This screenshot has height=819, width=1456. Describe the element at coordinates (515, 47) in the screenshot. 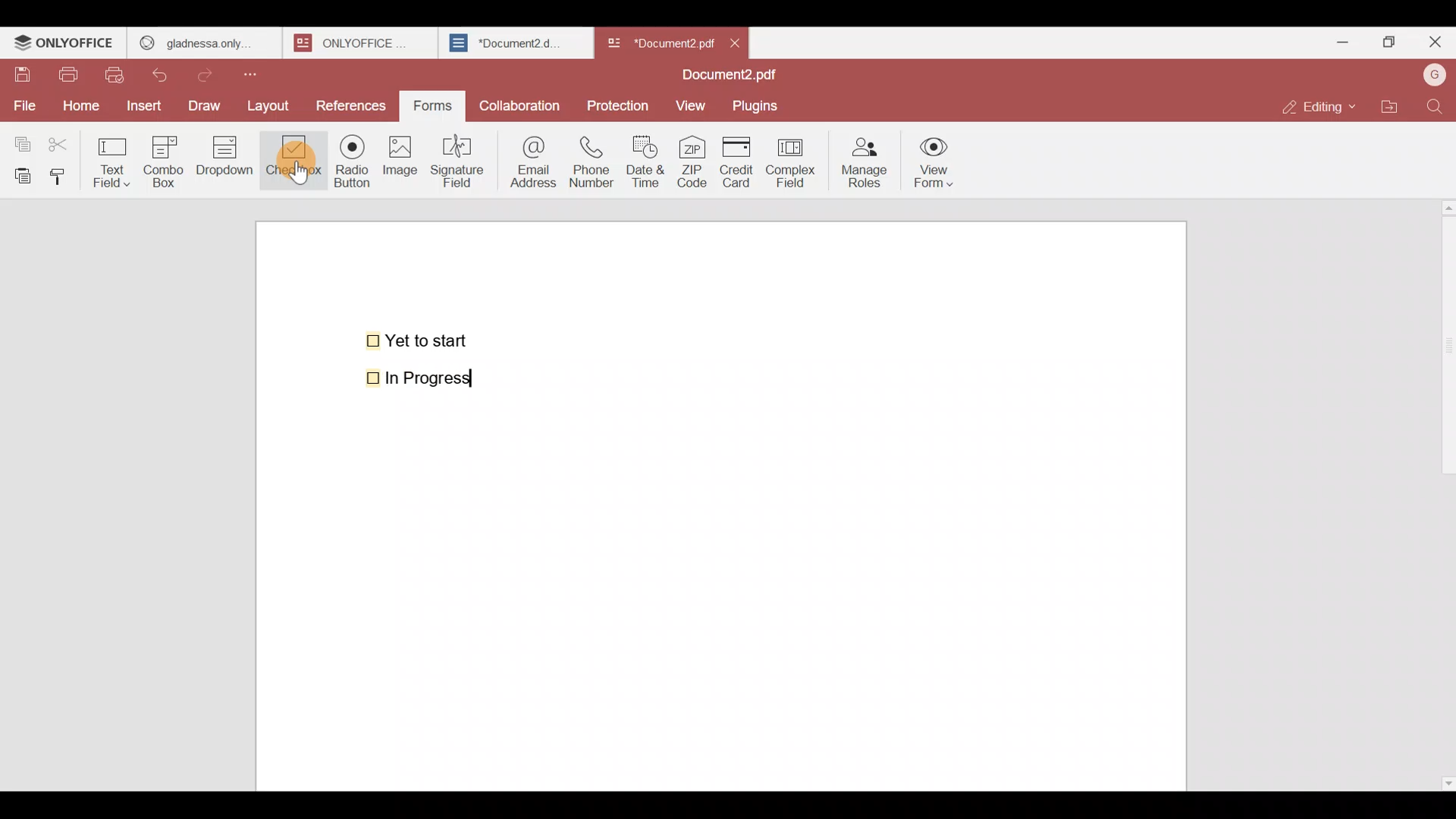

I see `Document2.d` at that location.